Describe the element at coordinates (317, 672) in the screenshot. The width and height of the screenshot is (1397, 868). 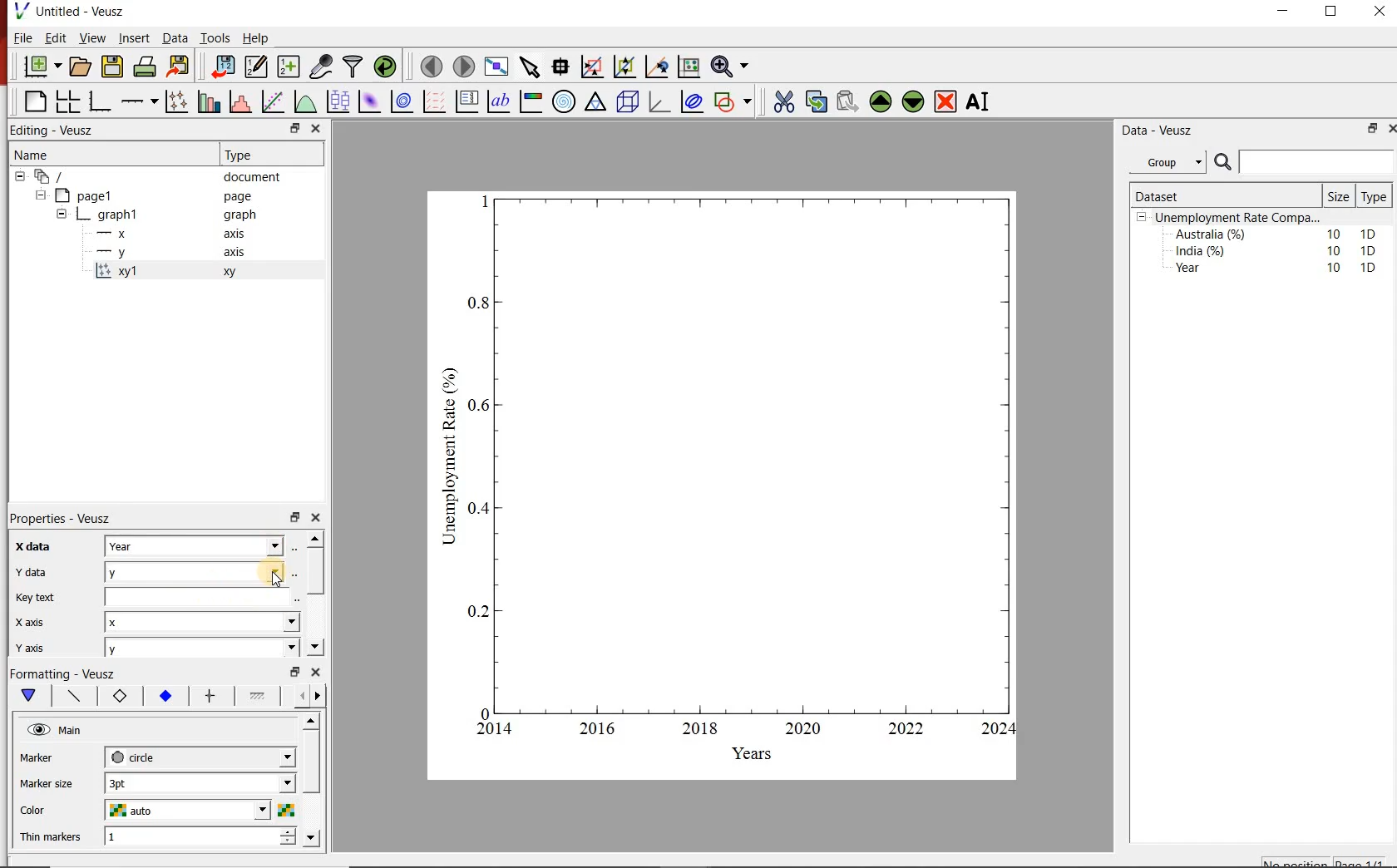
I see `close` at that location.